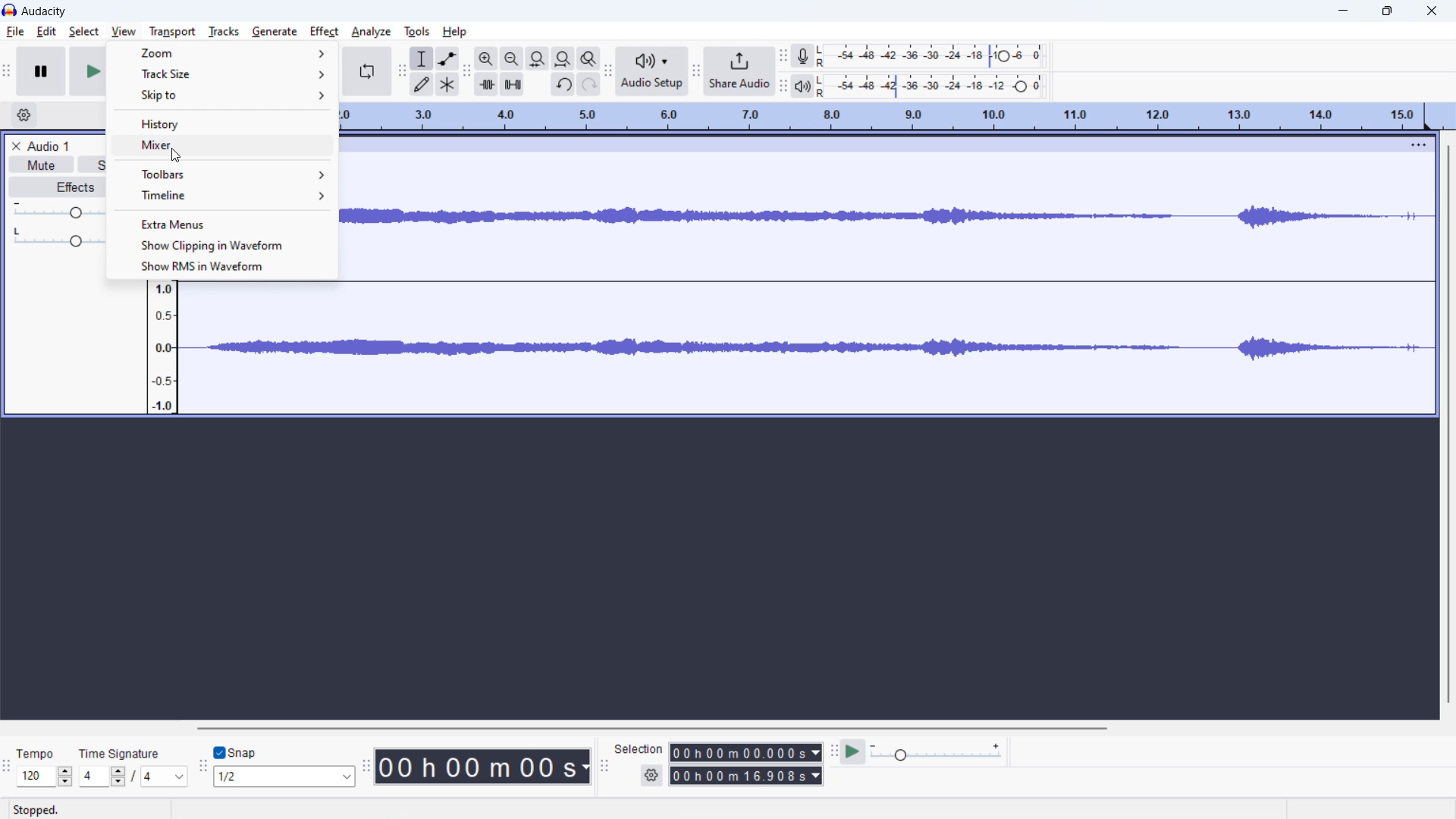 Image resolution: width=1456 pixels, height=819 pixels. What do you see at coordinates (563, 58) in the screenshot?
I see `fit project to width` at bounding box center [563, 58].